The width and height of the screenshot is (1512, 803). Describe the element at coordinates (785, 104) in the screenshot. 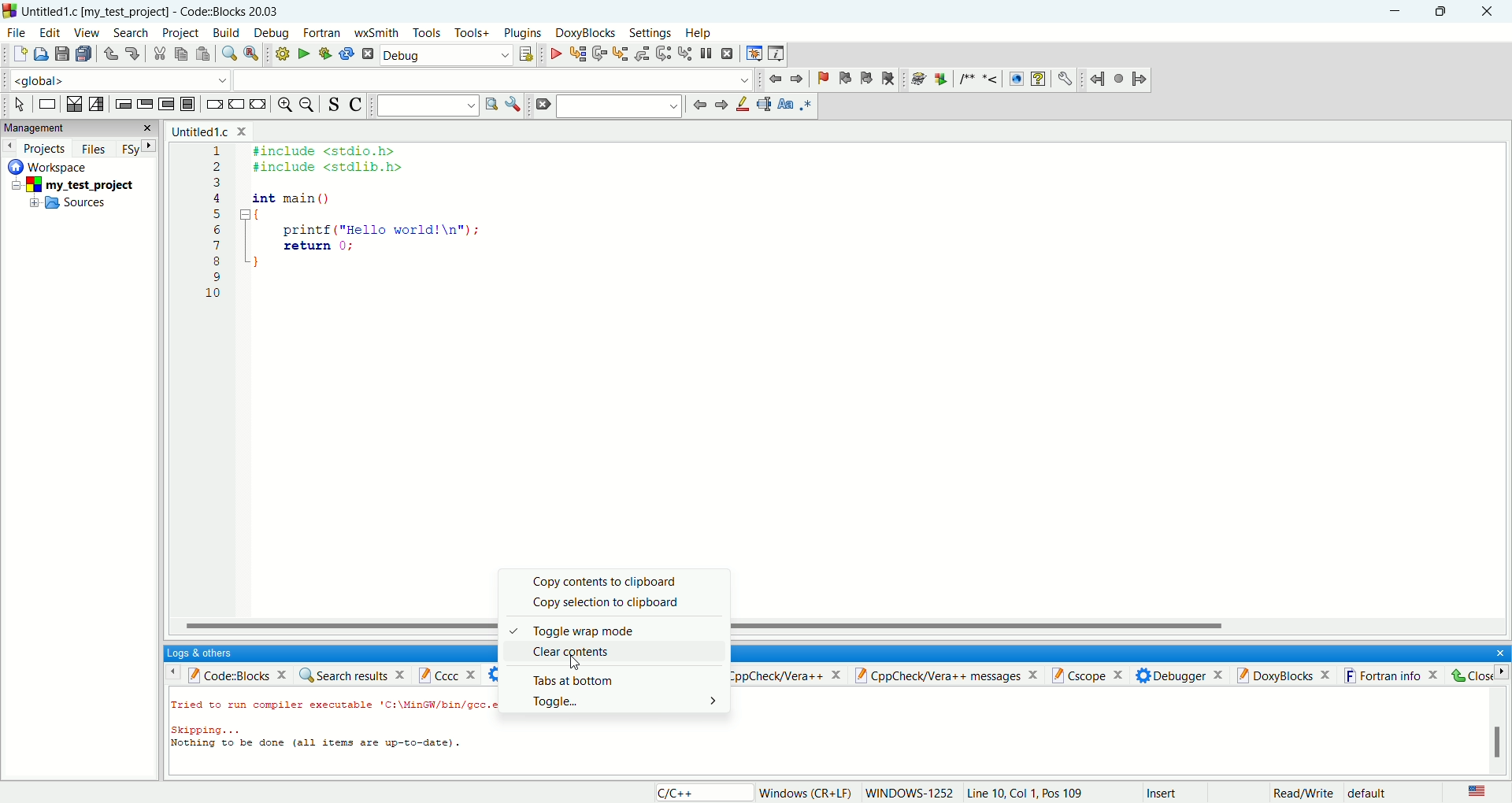

I see `match case` at that location.